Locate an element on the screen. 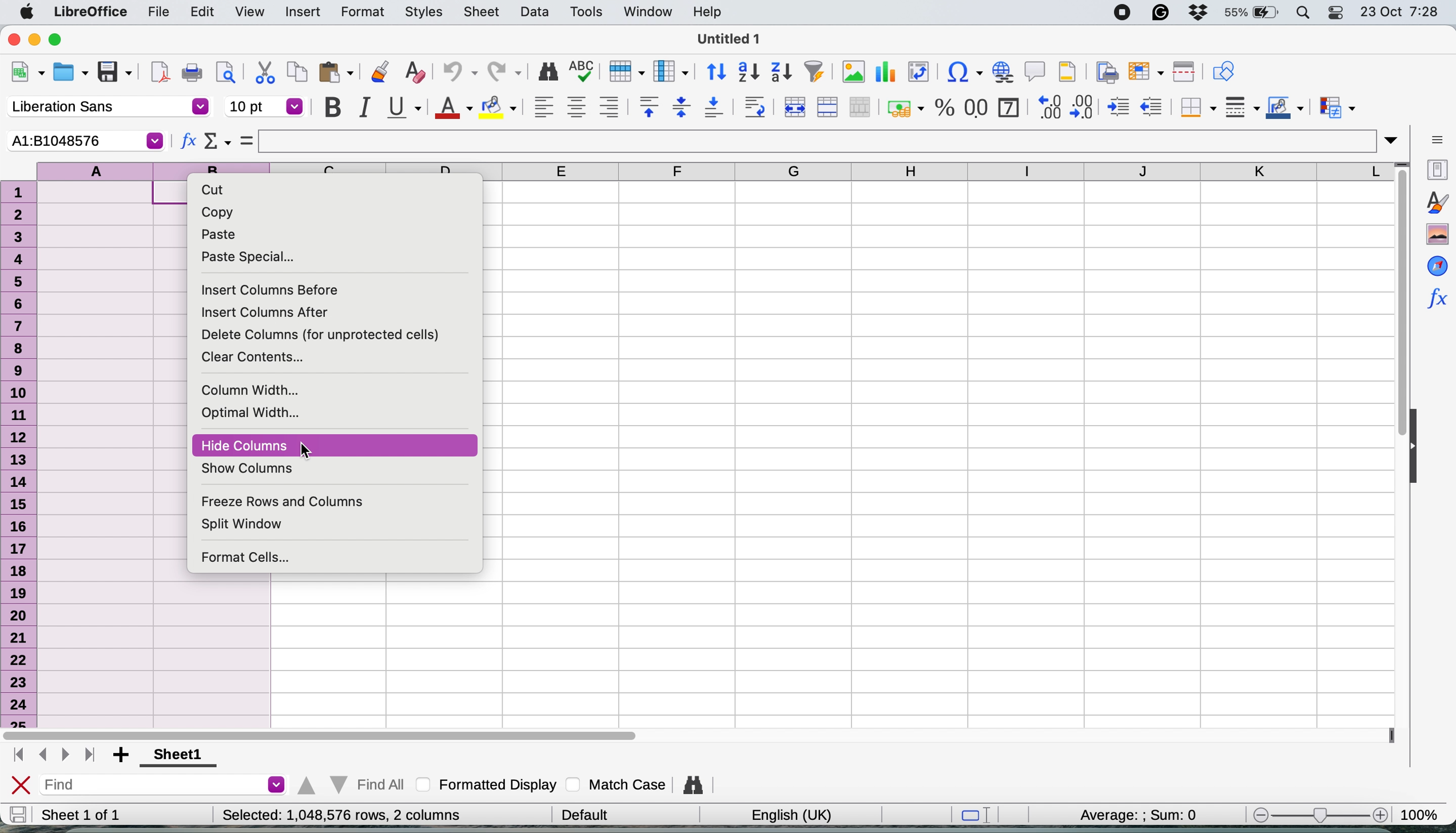  insert chart is located at coordinates (852, 72).